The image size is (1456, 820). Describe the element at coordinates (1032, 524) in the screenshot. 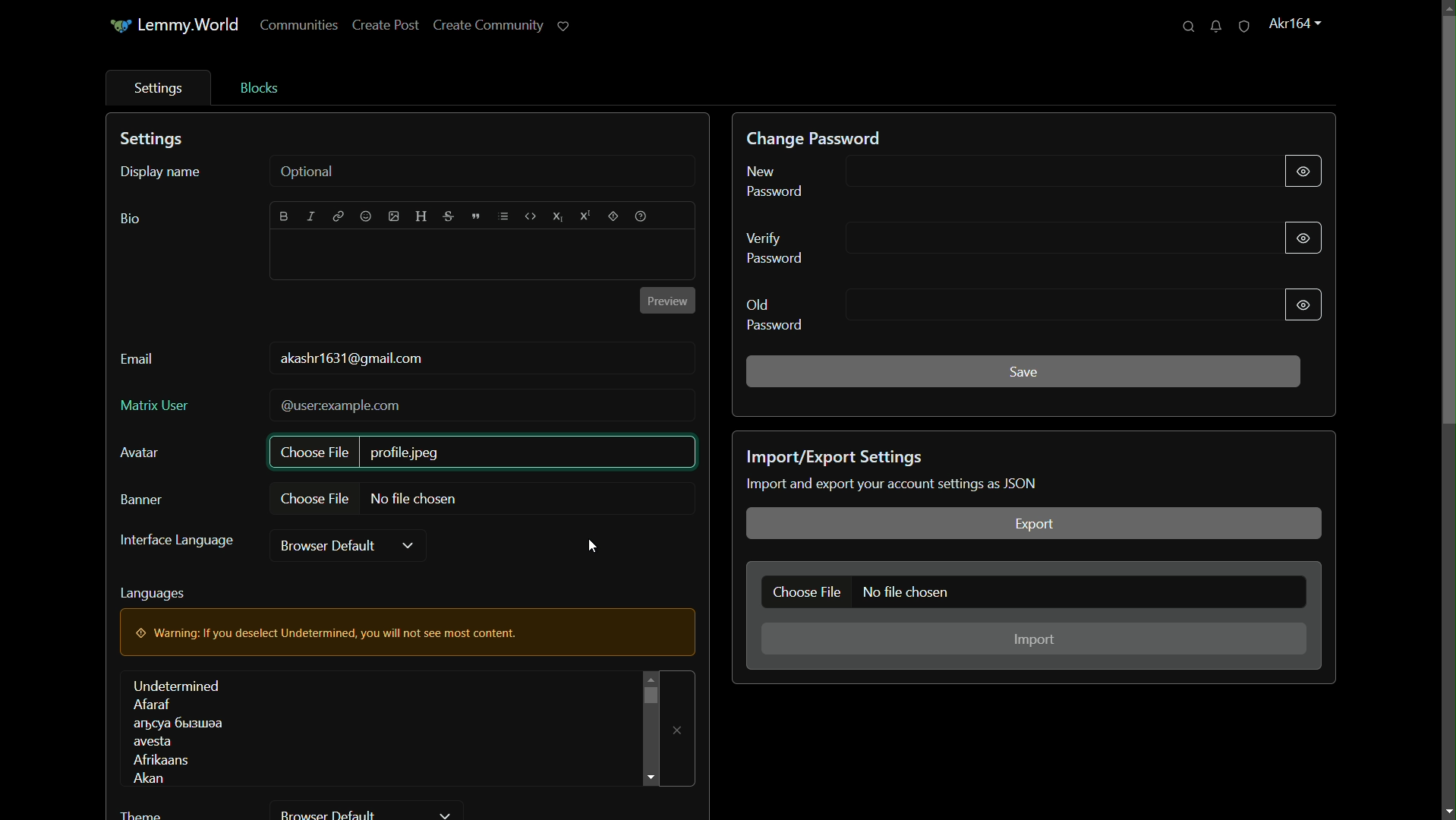

I see `export` at that location.